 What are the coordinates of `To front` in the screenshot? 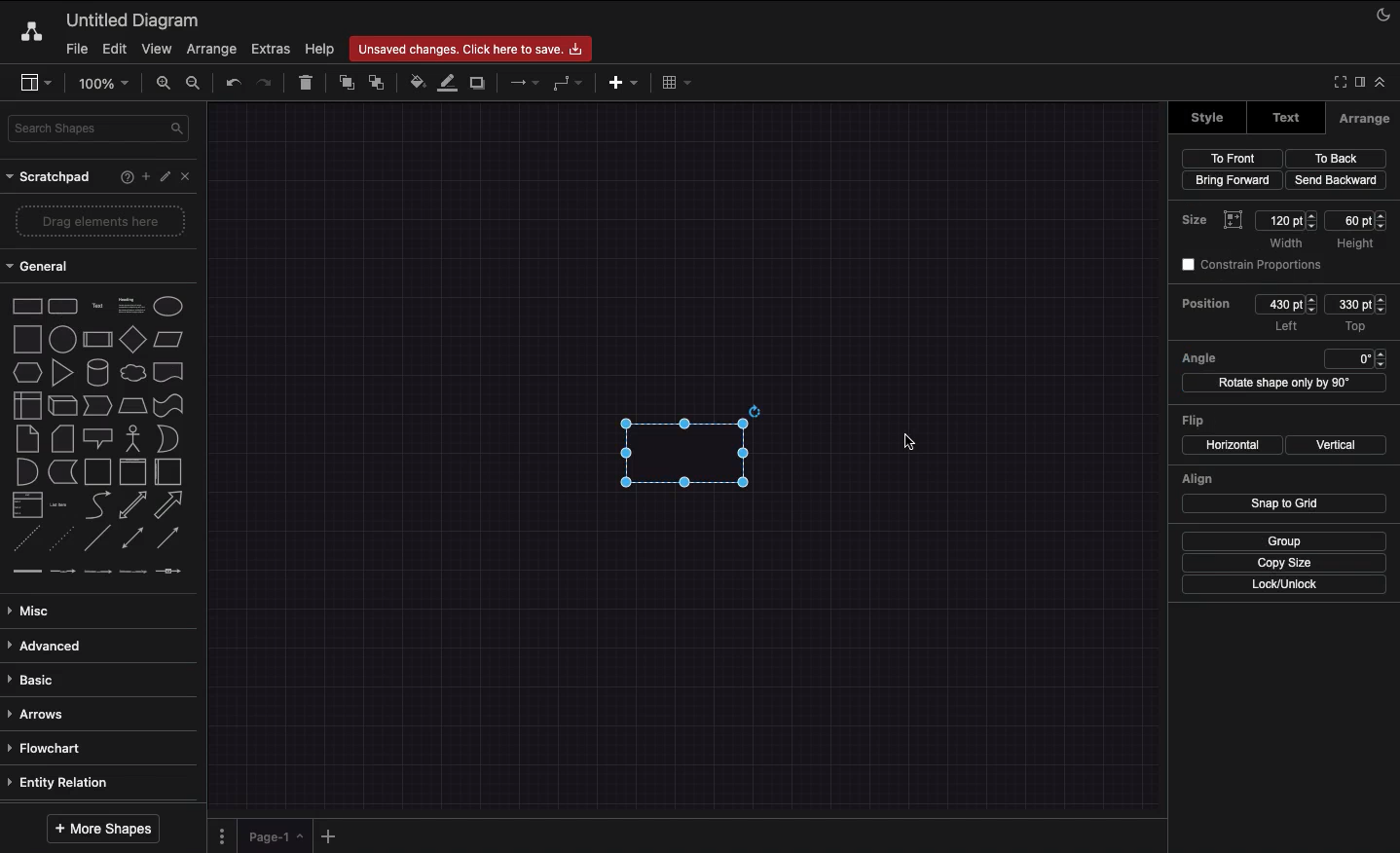 It's located at (343, 86).